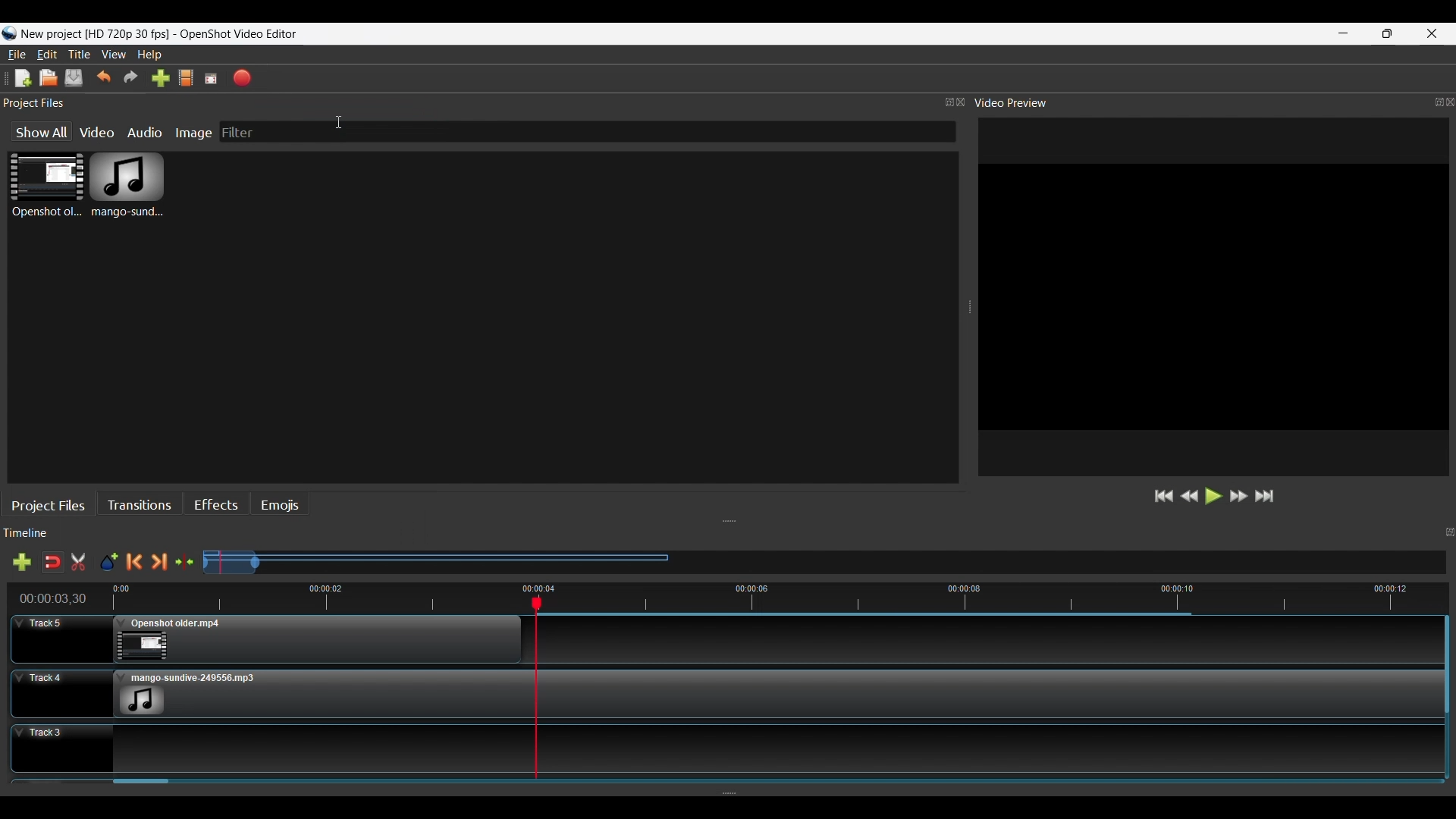 The width and height of the screenshot is (1456, 819). What do you see at coordinates (80, 54) in the screenshot?
I see `Title` at bounding box center [80, 54].